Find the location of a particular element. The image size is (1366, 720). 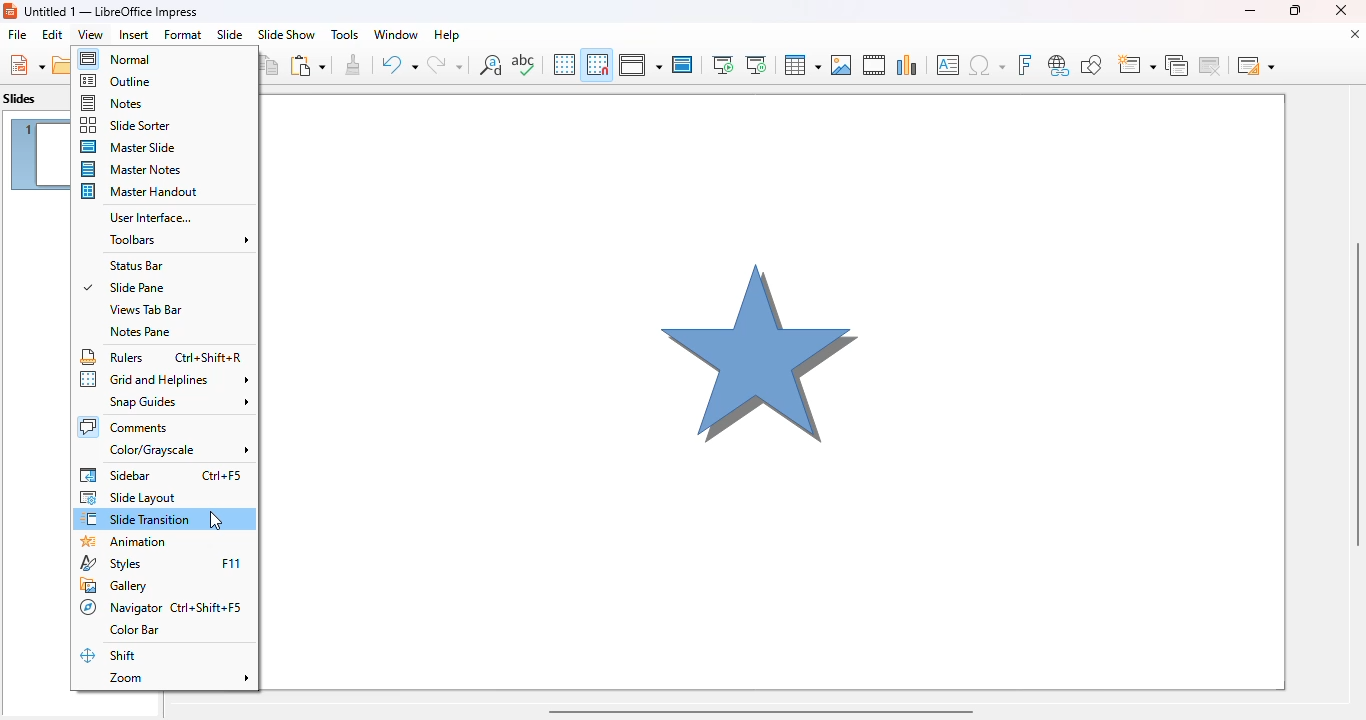

horizontal scroll bar is located at coordinates (760, 712).